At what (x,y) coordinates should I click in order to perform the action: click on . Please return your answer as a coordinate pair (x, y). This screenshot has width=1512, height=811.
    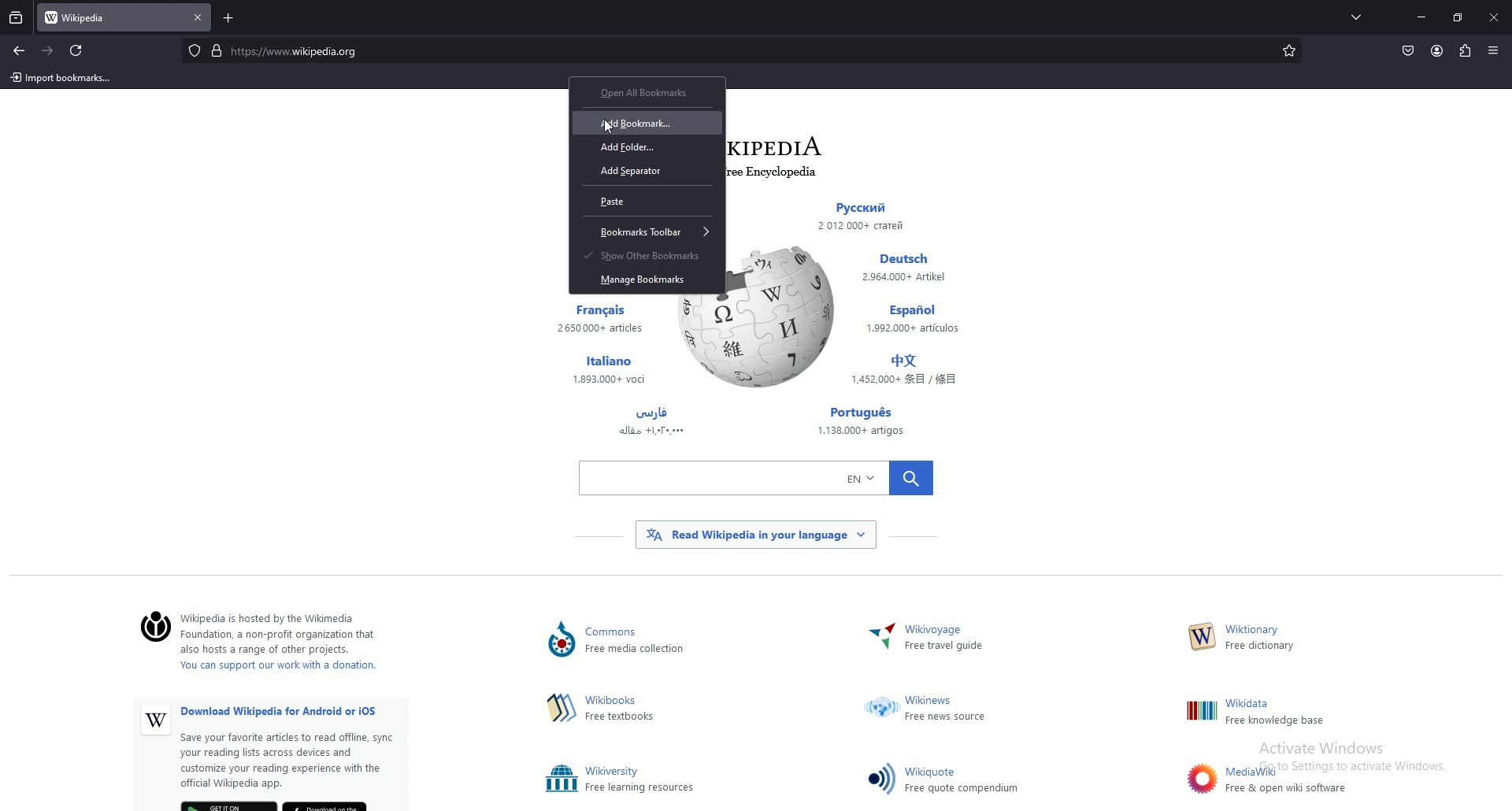
    Looking at the image, I should click on (879, 639).